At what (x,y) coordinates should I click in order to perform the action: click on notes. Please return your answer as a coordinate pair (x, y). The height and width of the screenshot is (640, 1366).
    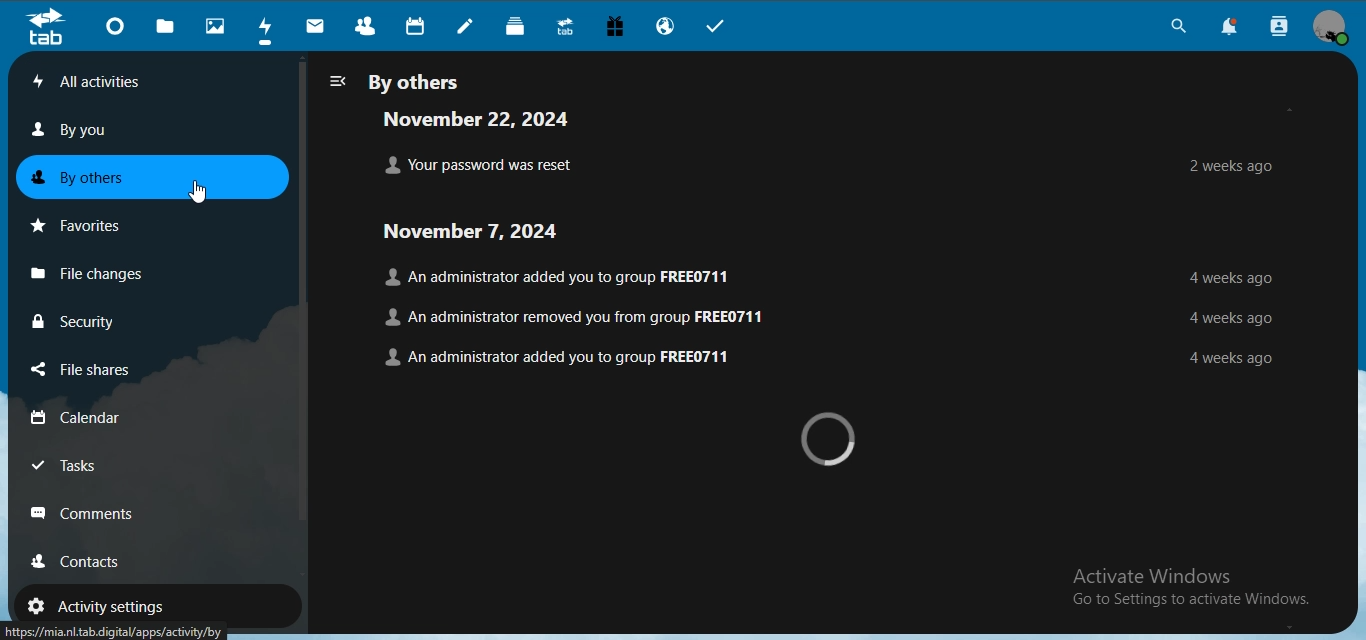
    Looking at the image, I should click on (470, 26).